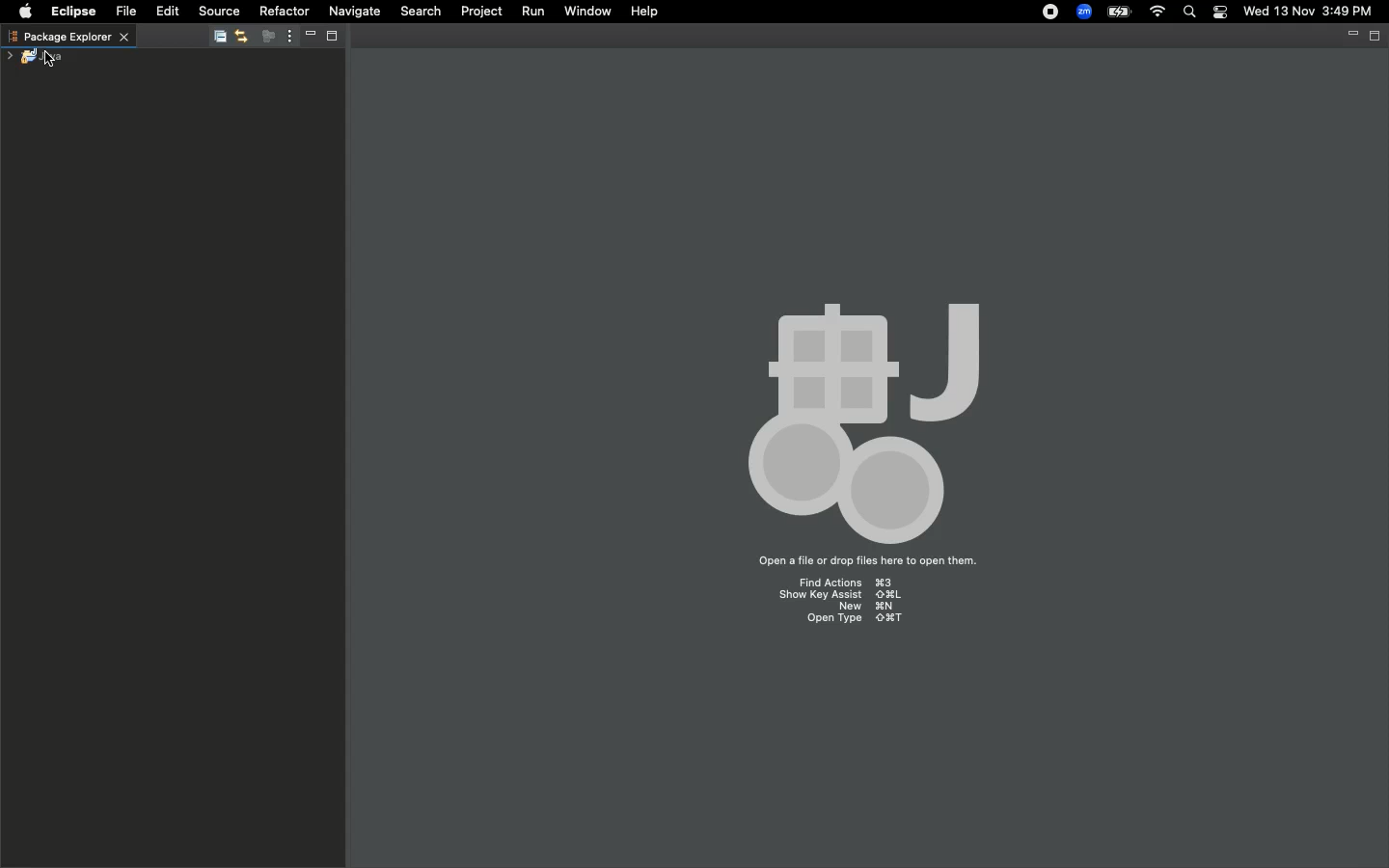 This screenshot has width=1389, height=868. I want to click on Search, so click(1190, 14).